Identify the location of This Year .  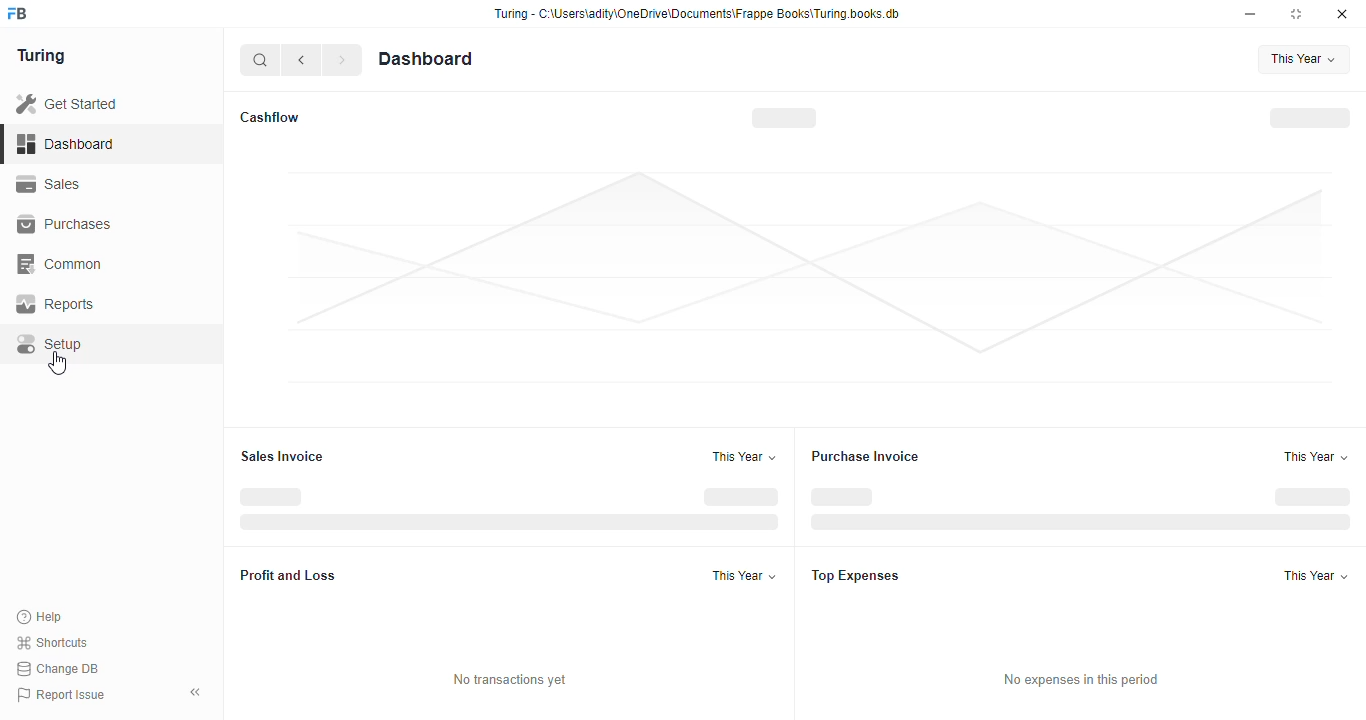
(1318, 576).